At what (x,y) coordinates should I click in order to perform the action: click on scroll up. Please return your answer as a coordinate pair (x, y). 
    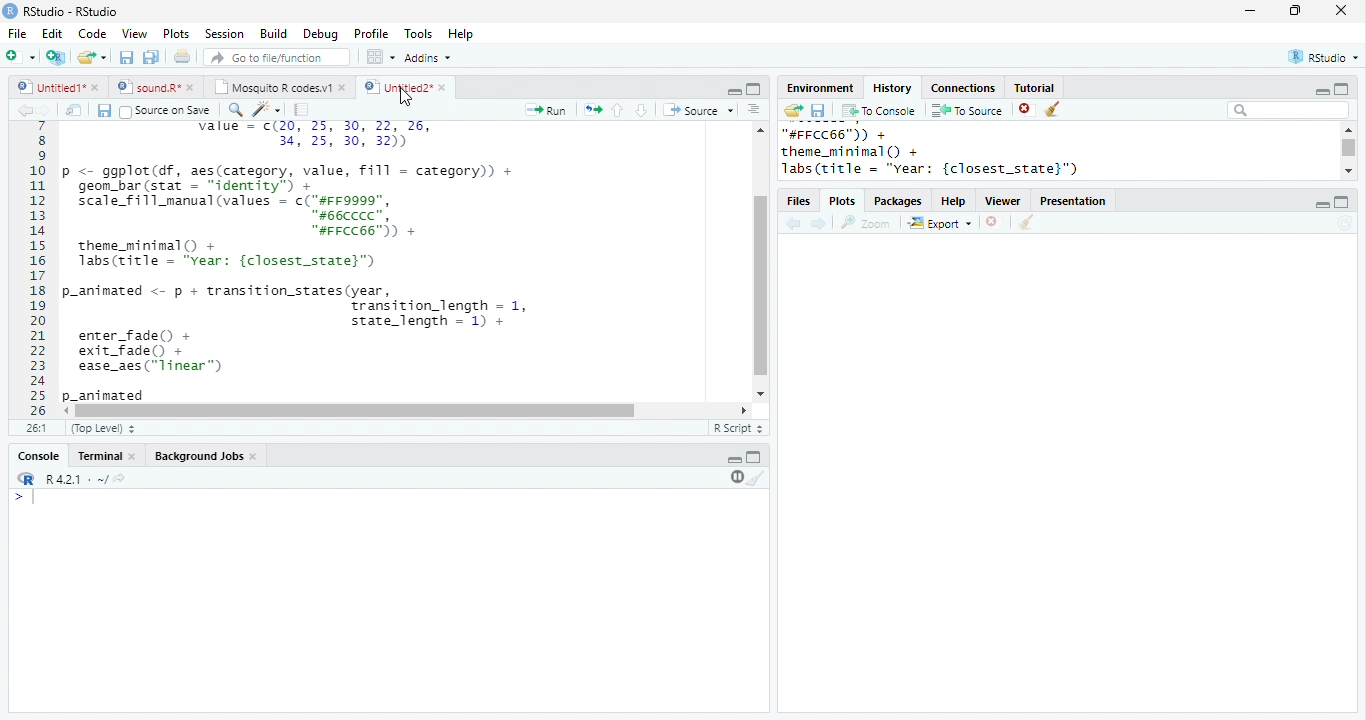
    Looking at the image, I should click on (1349, 129).